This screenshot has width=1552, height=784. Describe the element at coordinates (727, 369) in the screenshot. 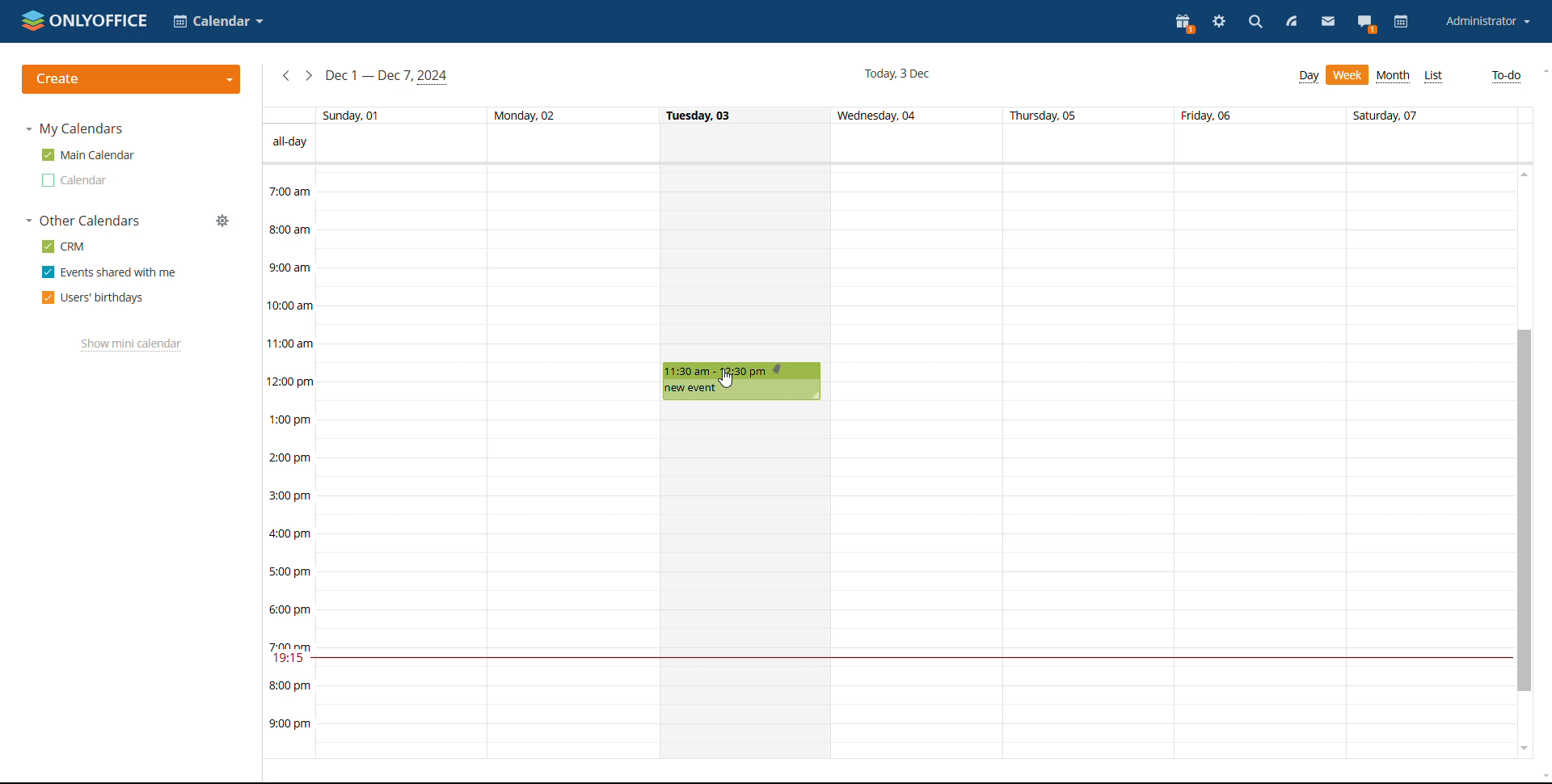

I see `11:30 am - 12:30 pm` at that location.